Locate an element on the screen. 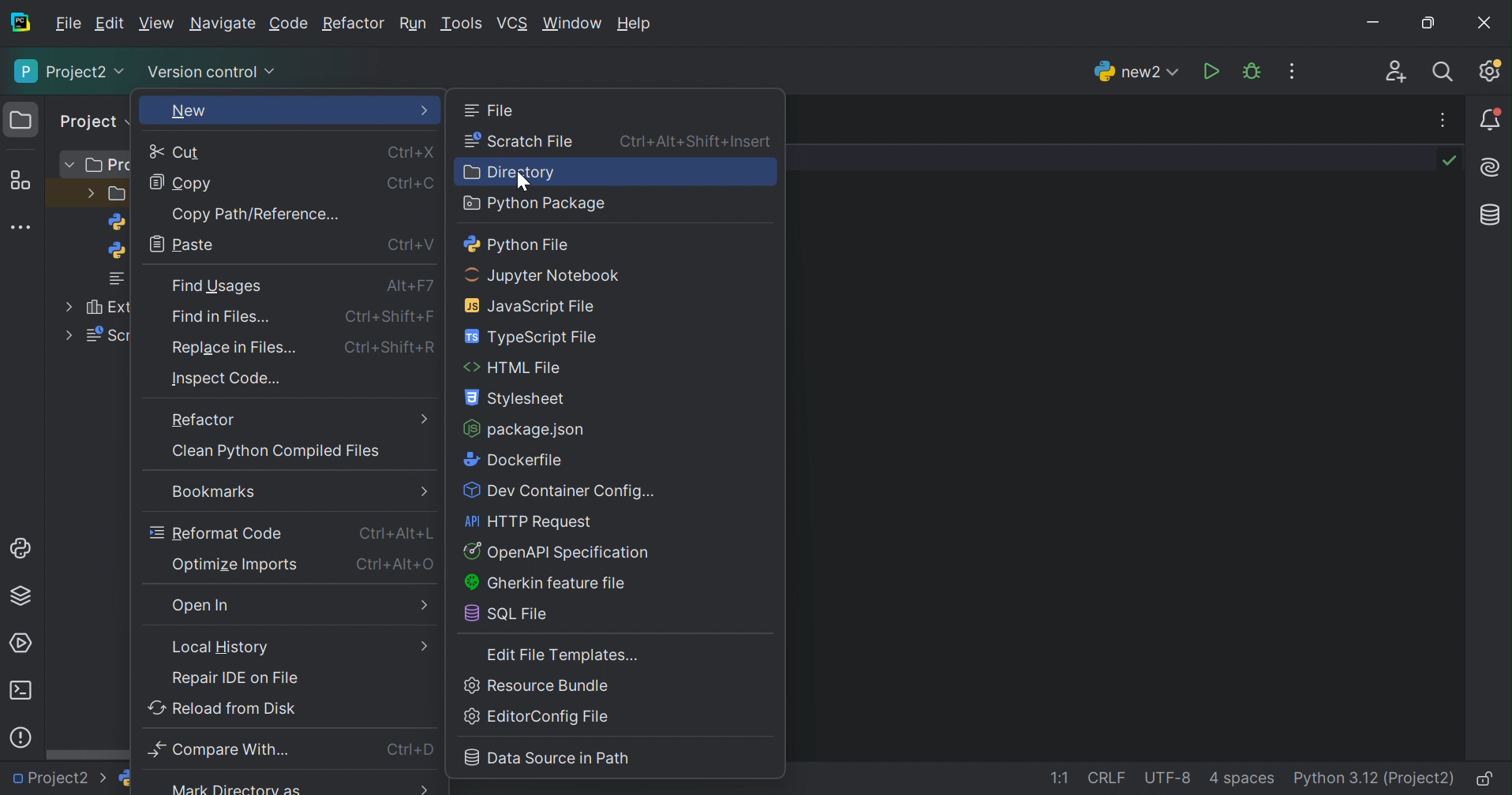 Image resolution: width=1512 pixels, height=795 pixels. python logo is located at coordinates (118, 253).